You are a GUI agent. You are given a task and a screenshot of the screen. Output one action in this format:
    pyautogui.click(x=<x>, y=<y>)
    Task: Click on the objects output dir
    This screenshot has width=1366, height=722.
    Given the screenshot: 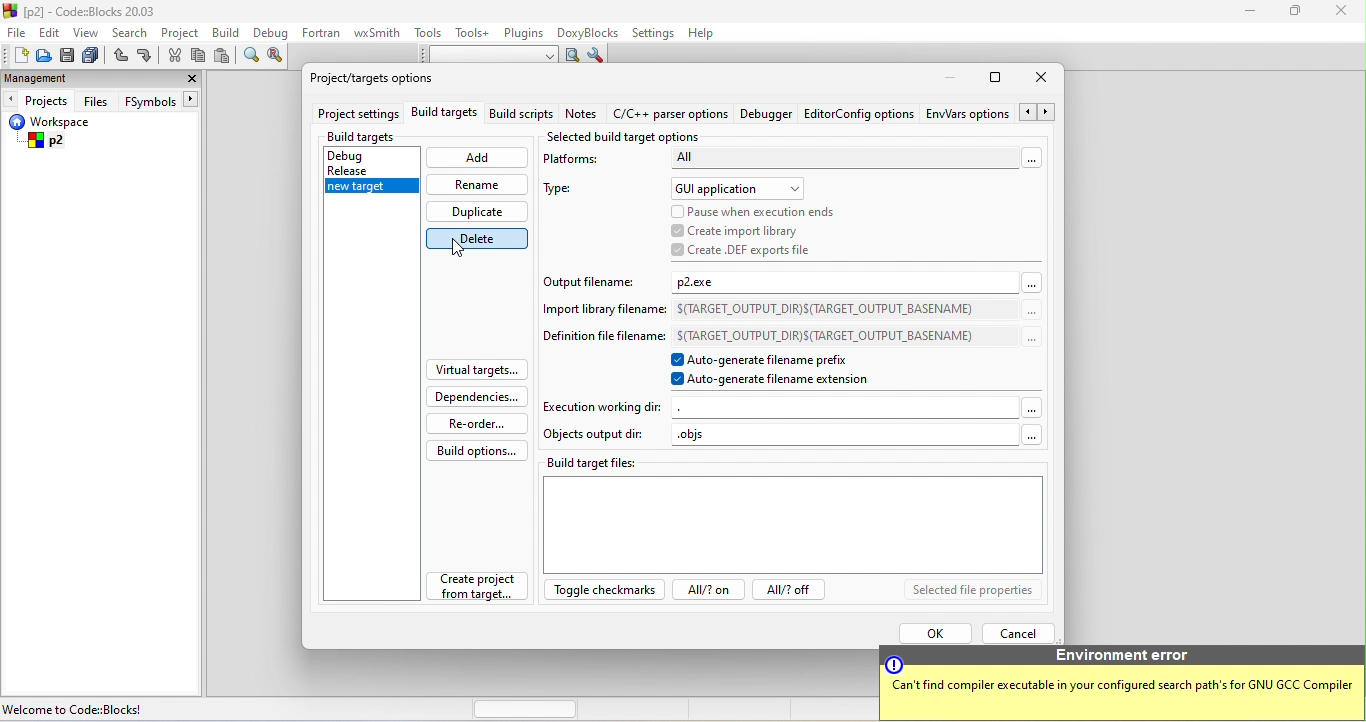 What is the action you would take?
    pyautogui.click(x=596, y=436)
    